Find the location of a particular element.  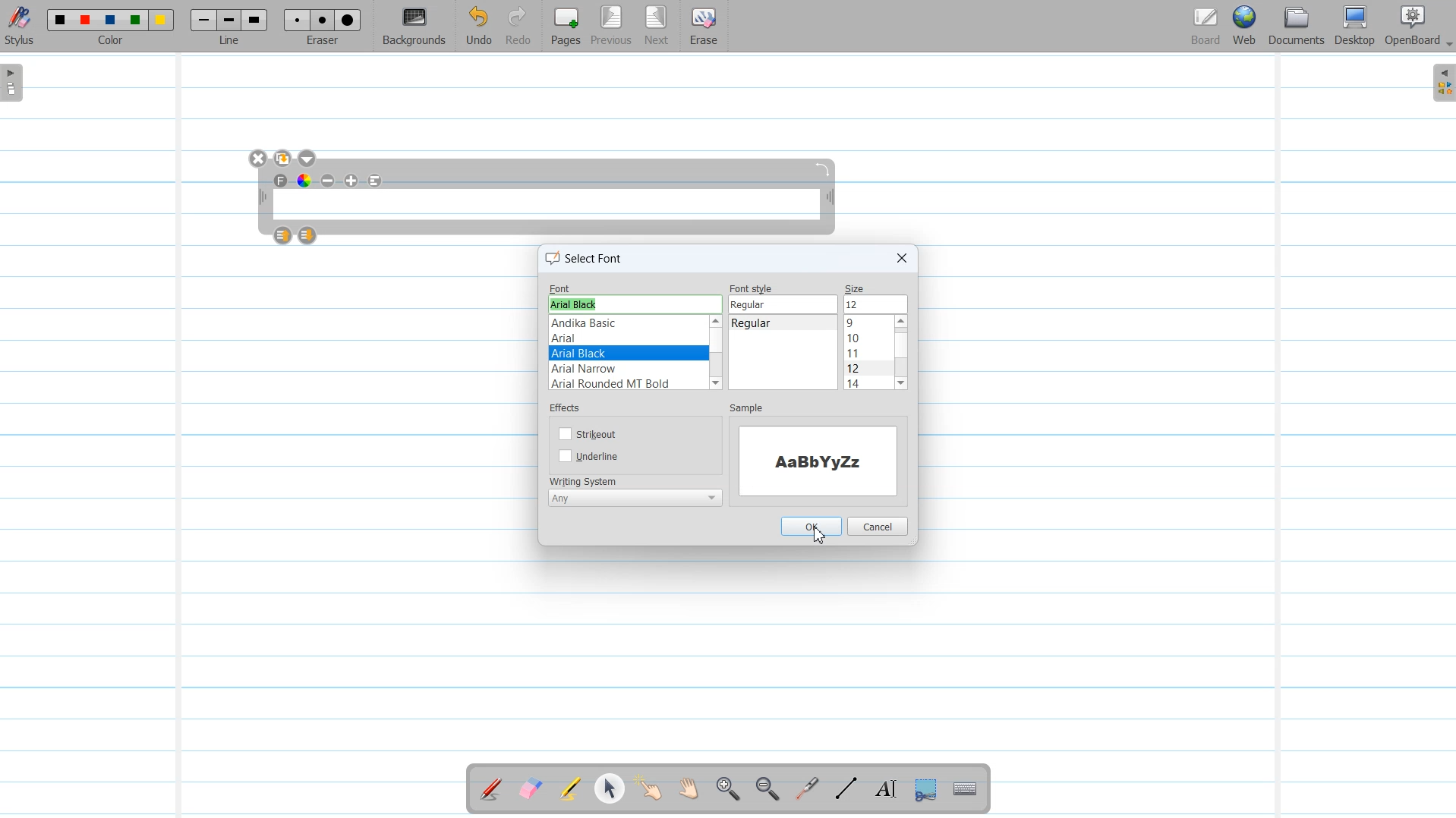

Adjust width of text tool  is located at coordinates (261, 197).